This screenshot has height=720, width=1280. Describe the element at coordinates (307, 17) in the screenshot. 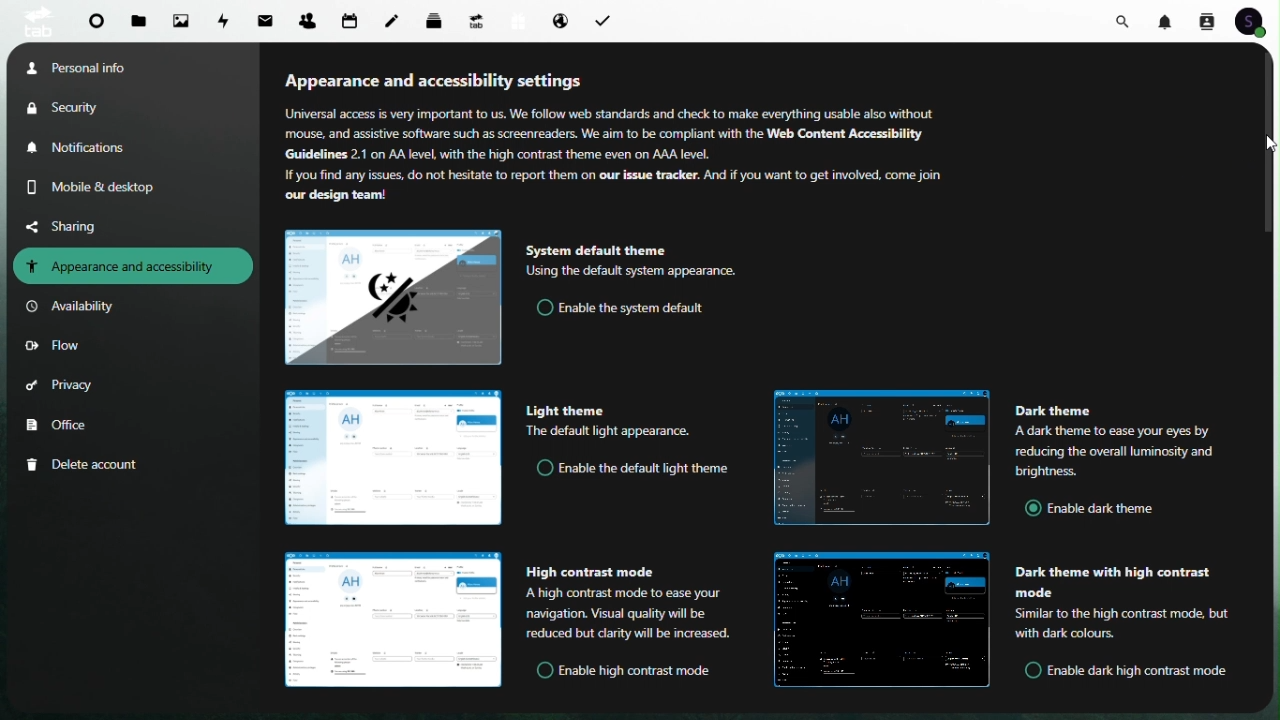

I see `Contacts` at that location.